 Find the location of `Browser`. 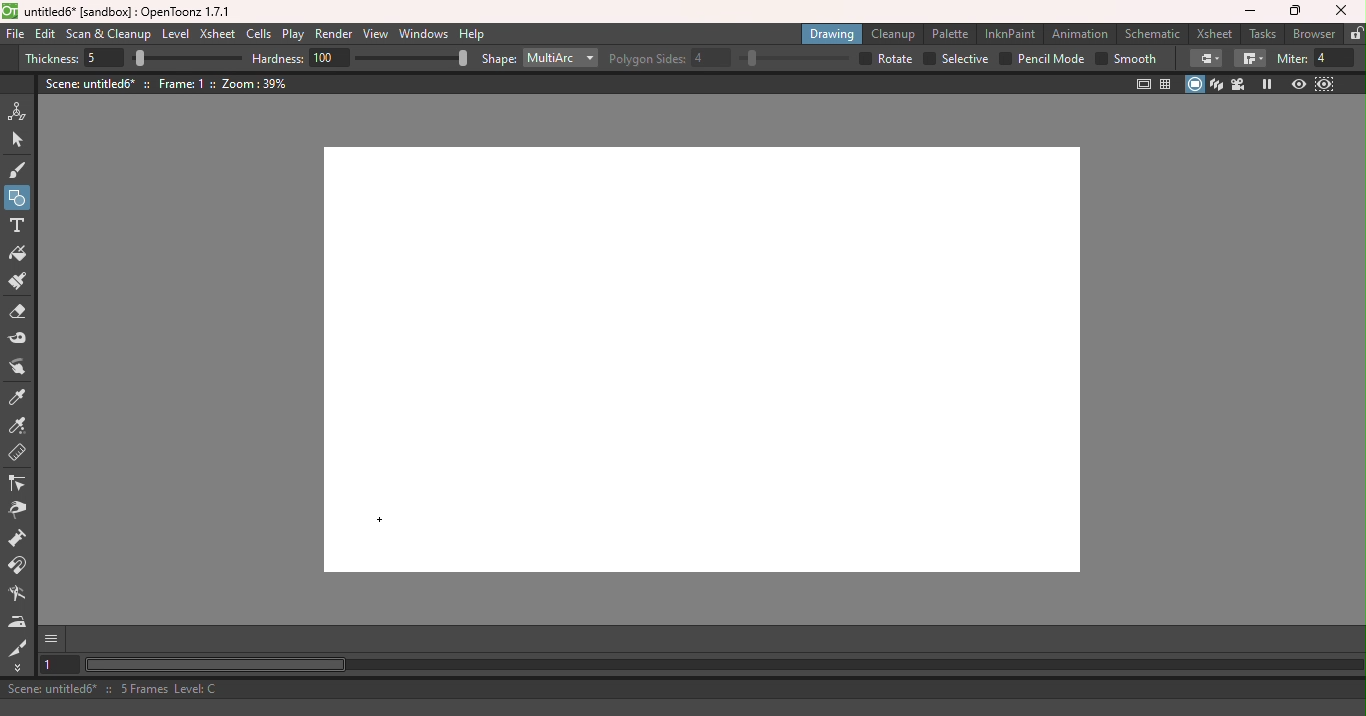

Browser is located at coordinates (1314, 33).